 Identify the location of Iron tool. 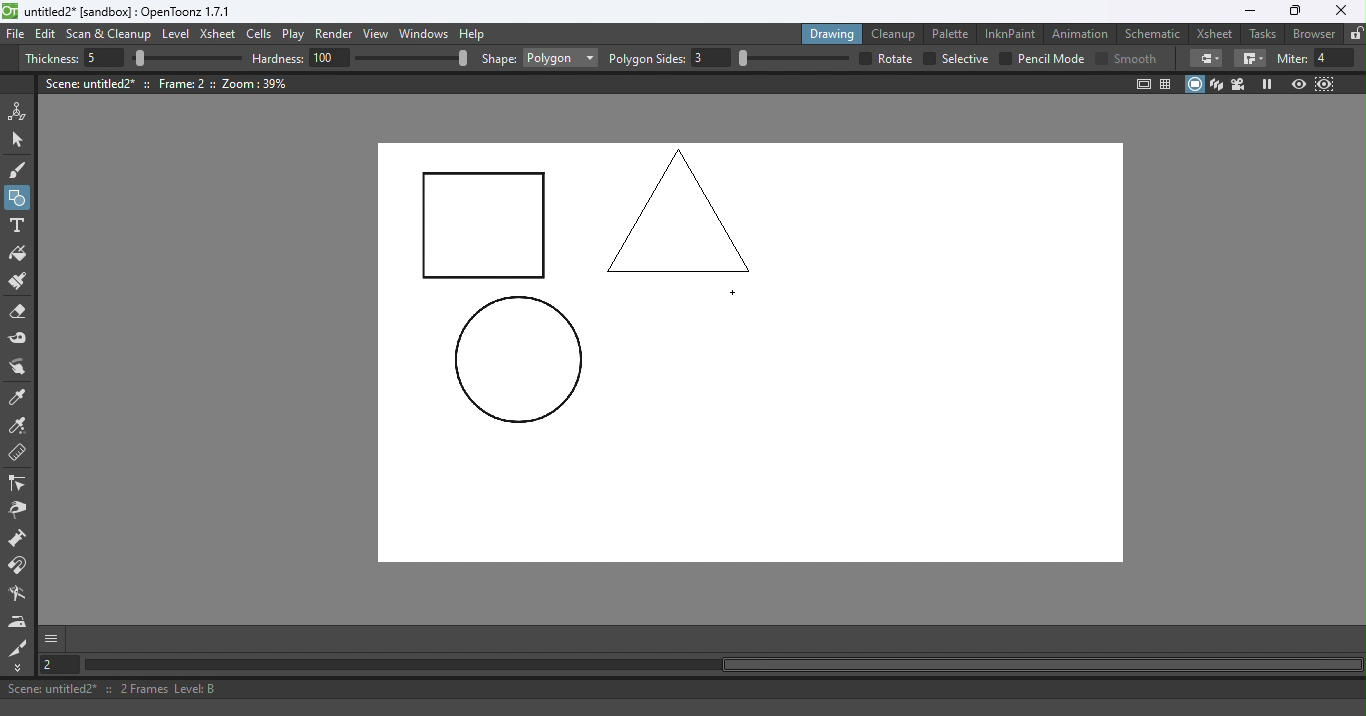
(20, 621).